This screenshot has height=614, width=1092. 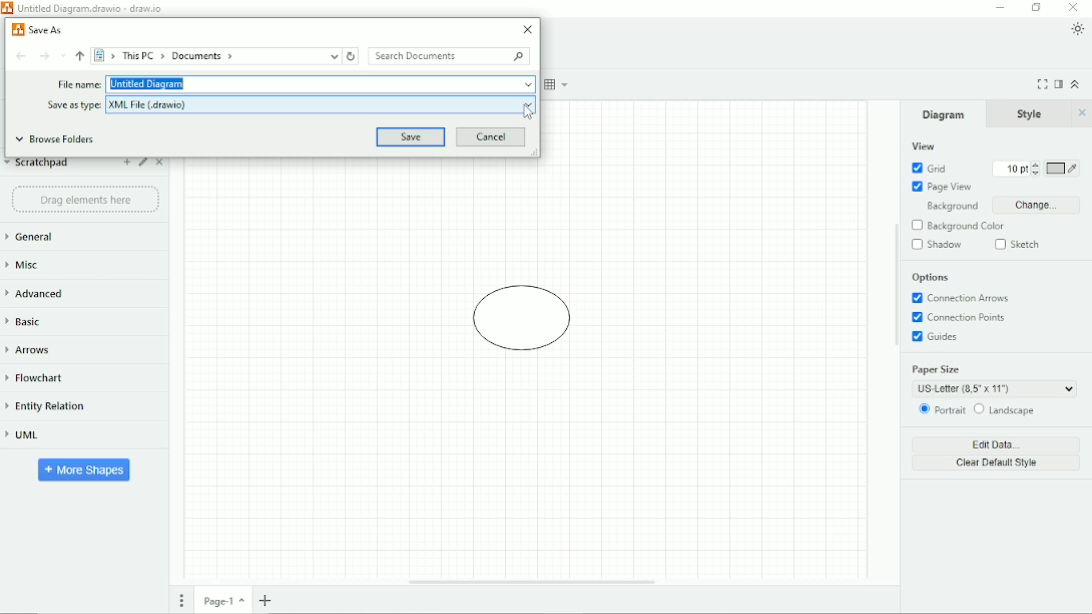 What do you see at coordinates (23, 56) in the screenshot?
I see `Back` at bounding box center [23, 56].